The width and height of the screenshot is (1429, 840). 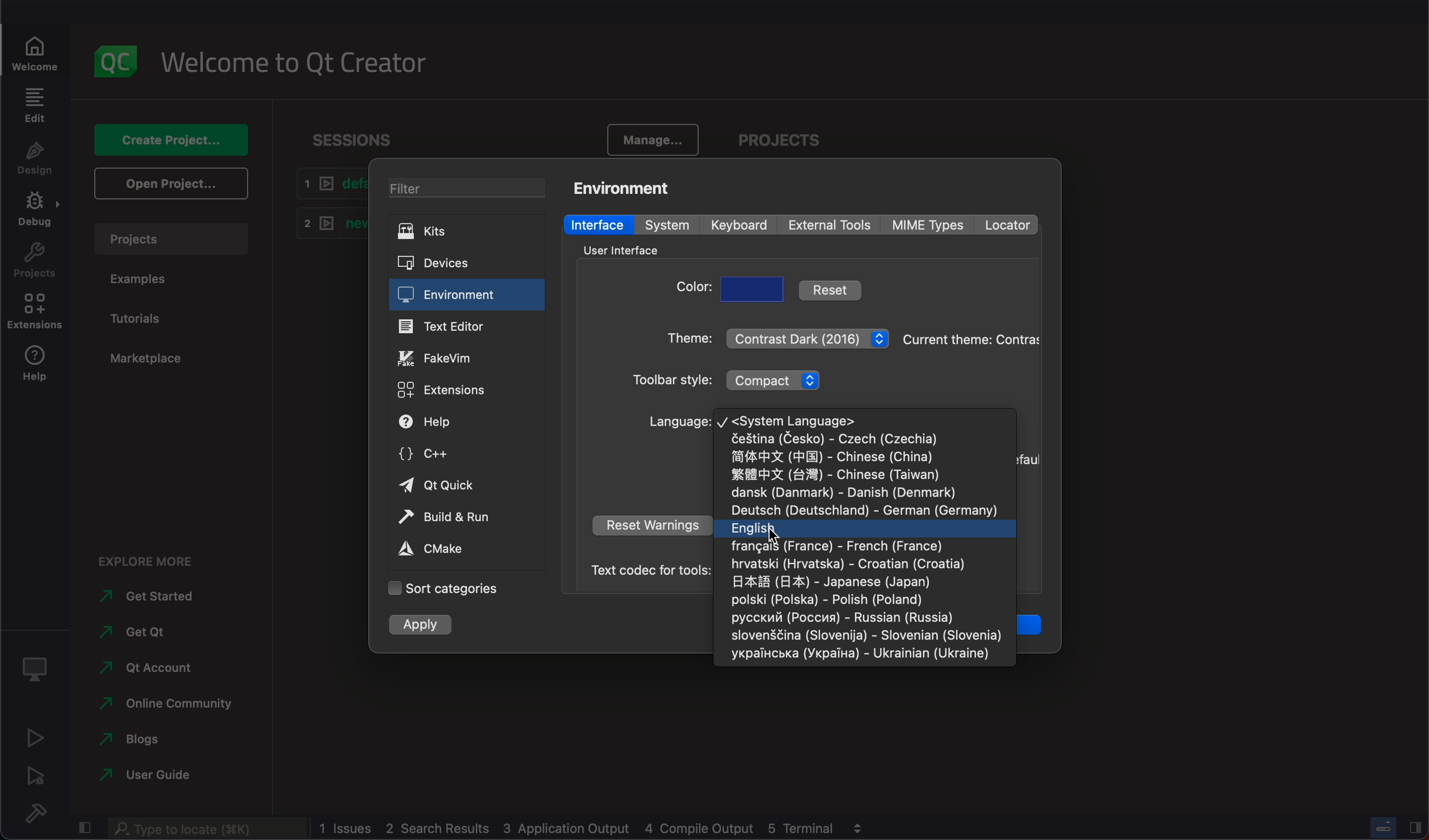 I want to click on reset, so click(x=652, y=525).